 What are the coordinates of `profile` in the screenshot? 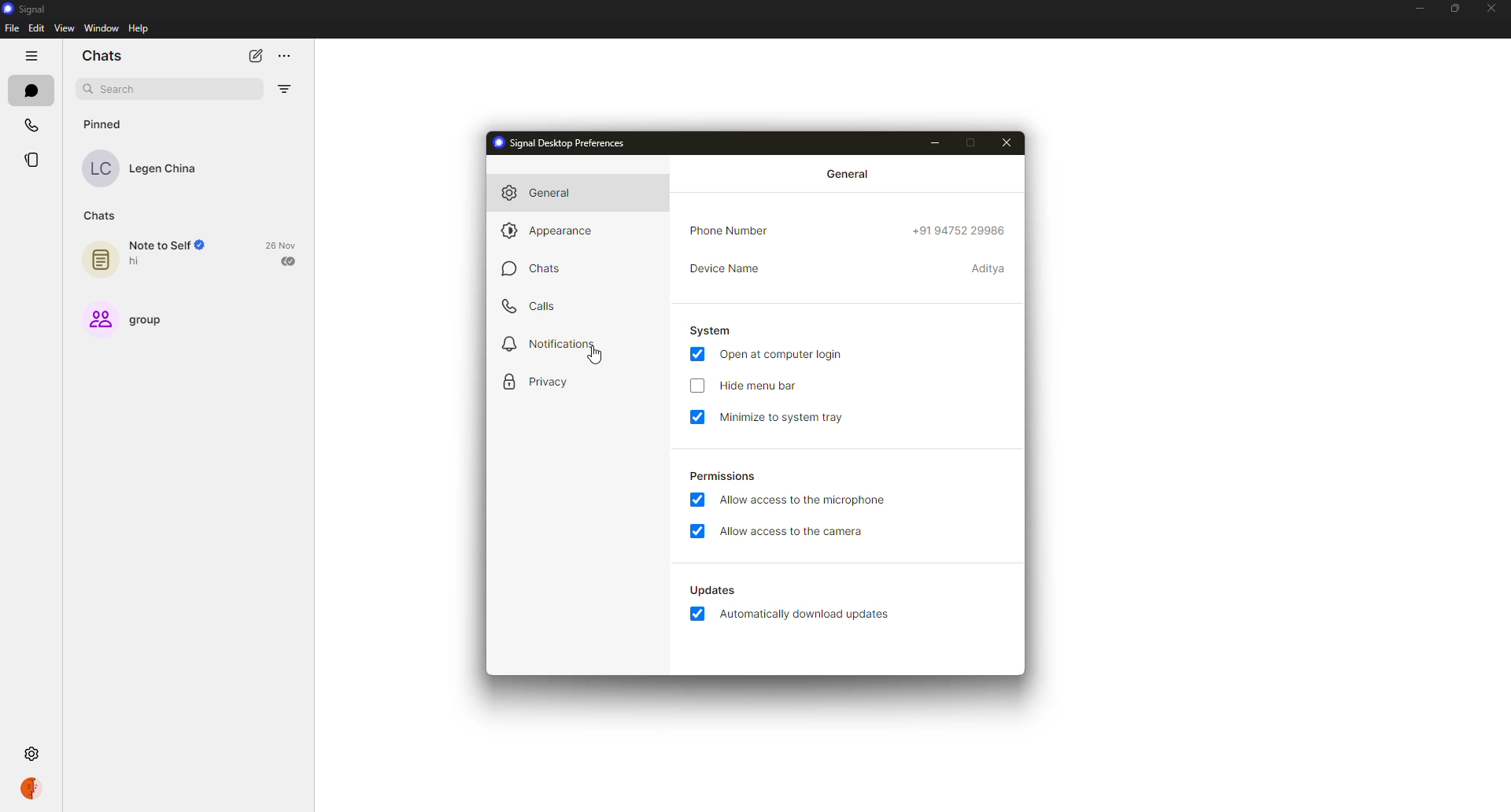 It's located at (31, 789).